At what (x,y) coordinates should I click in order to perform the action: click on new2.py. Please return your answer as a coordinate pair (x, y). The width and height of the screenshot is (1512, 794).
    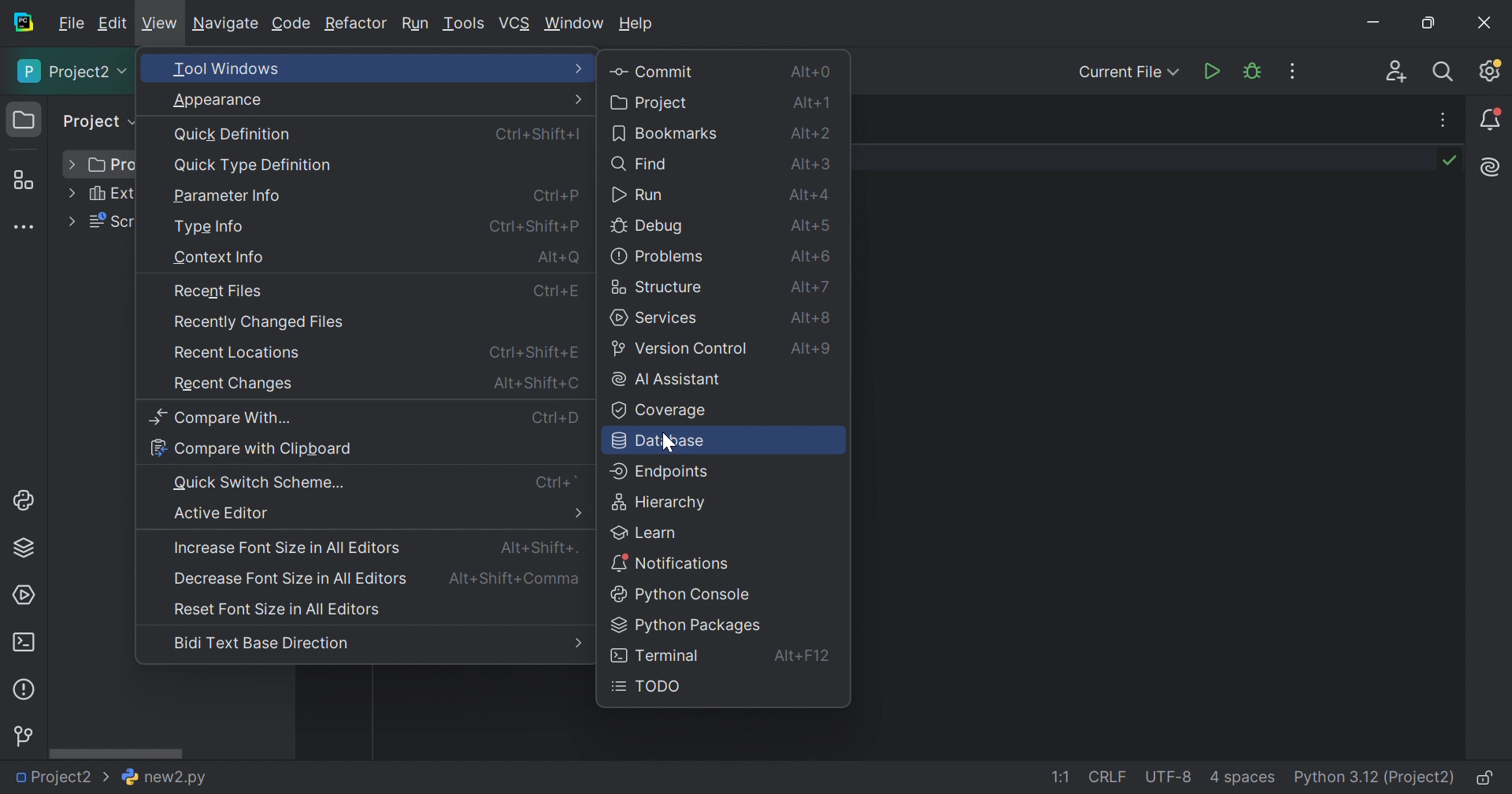
    Looking at the image, I should click on (163, 777).